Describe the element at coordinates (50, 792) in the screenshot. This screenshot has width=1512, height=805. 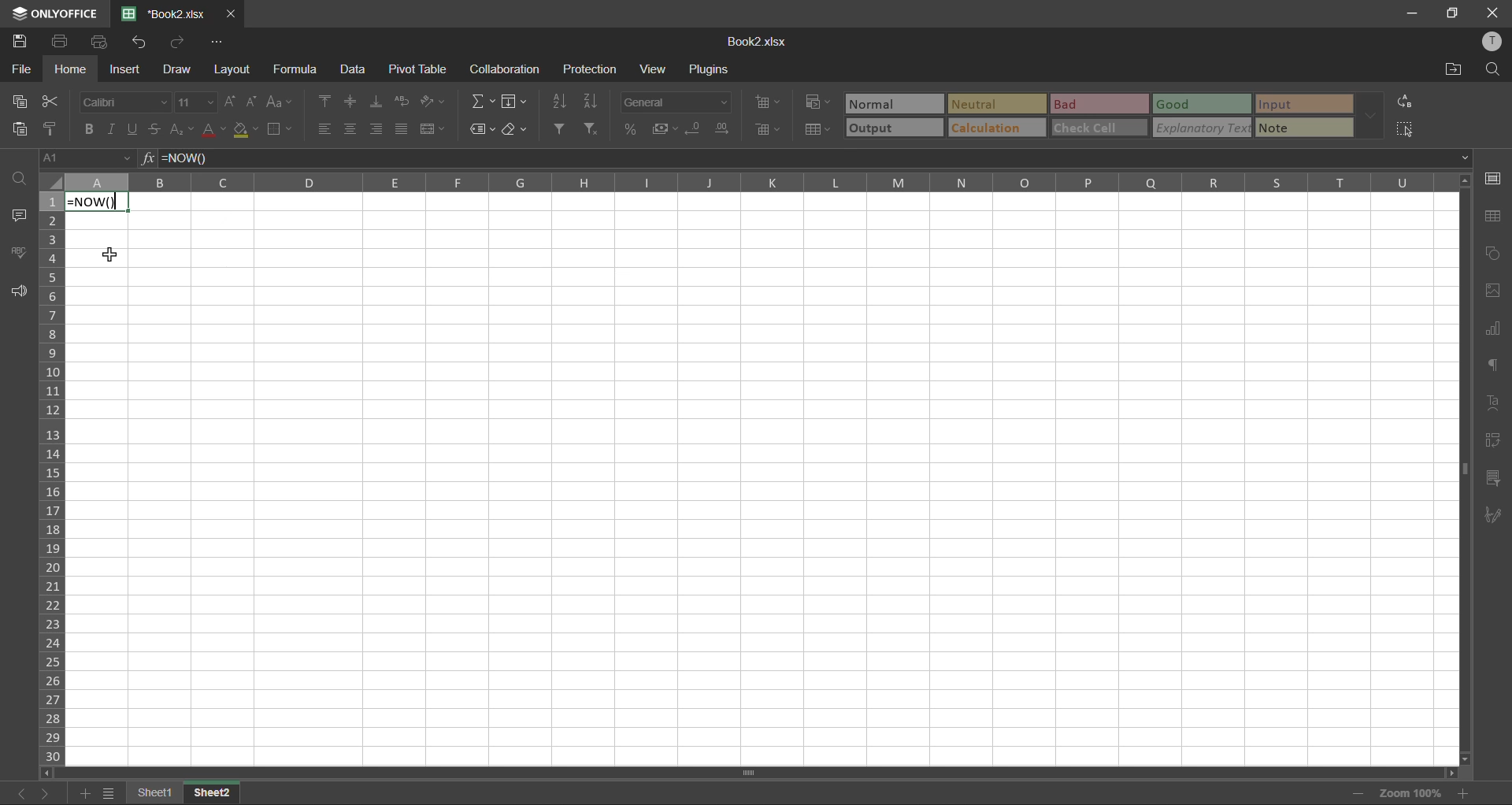
I see `next` at that location.